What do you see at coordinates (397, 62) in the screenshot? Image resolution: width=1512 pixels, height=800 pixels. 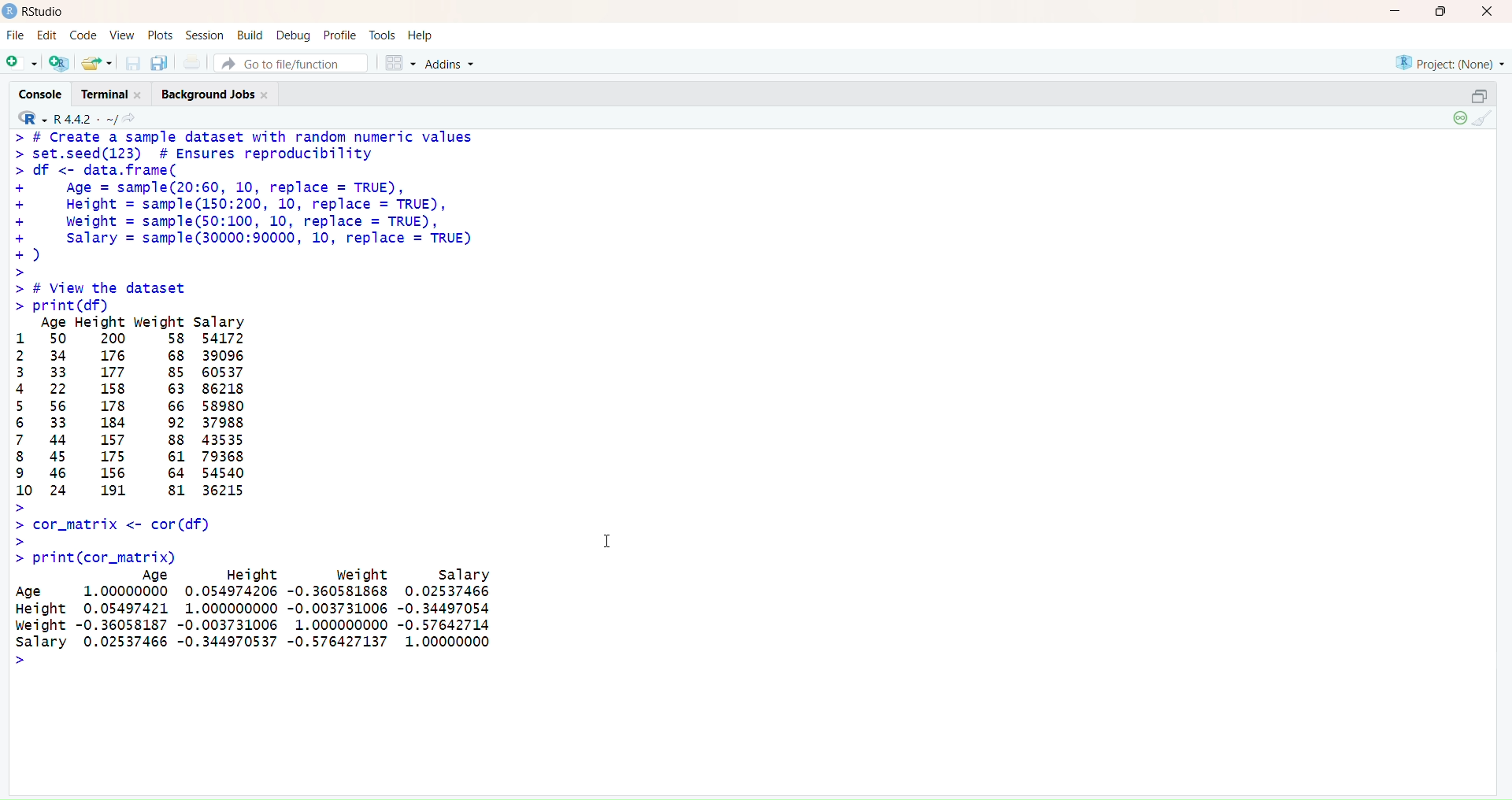 I see `Workspace panes` at bounding box center [397, 62].